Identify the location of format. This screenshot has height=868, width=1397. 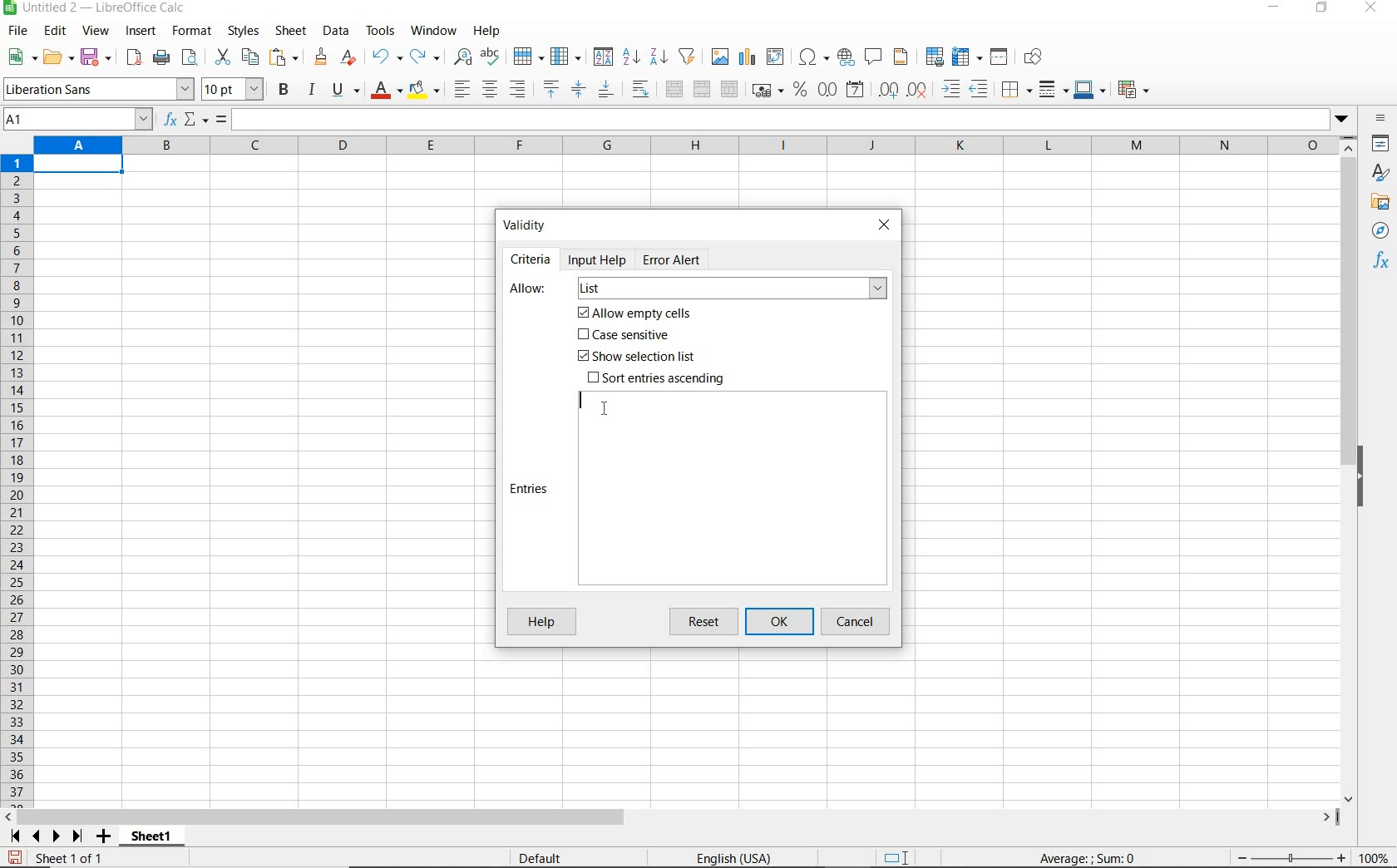
(190, 31).